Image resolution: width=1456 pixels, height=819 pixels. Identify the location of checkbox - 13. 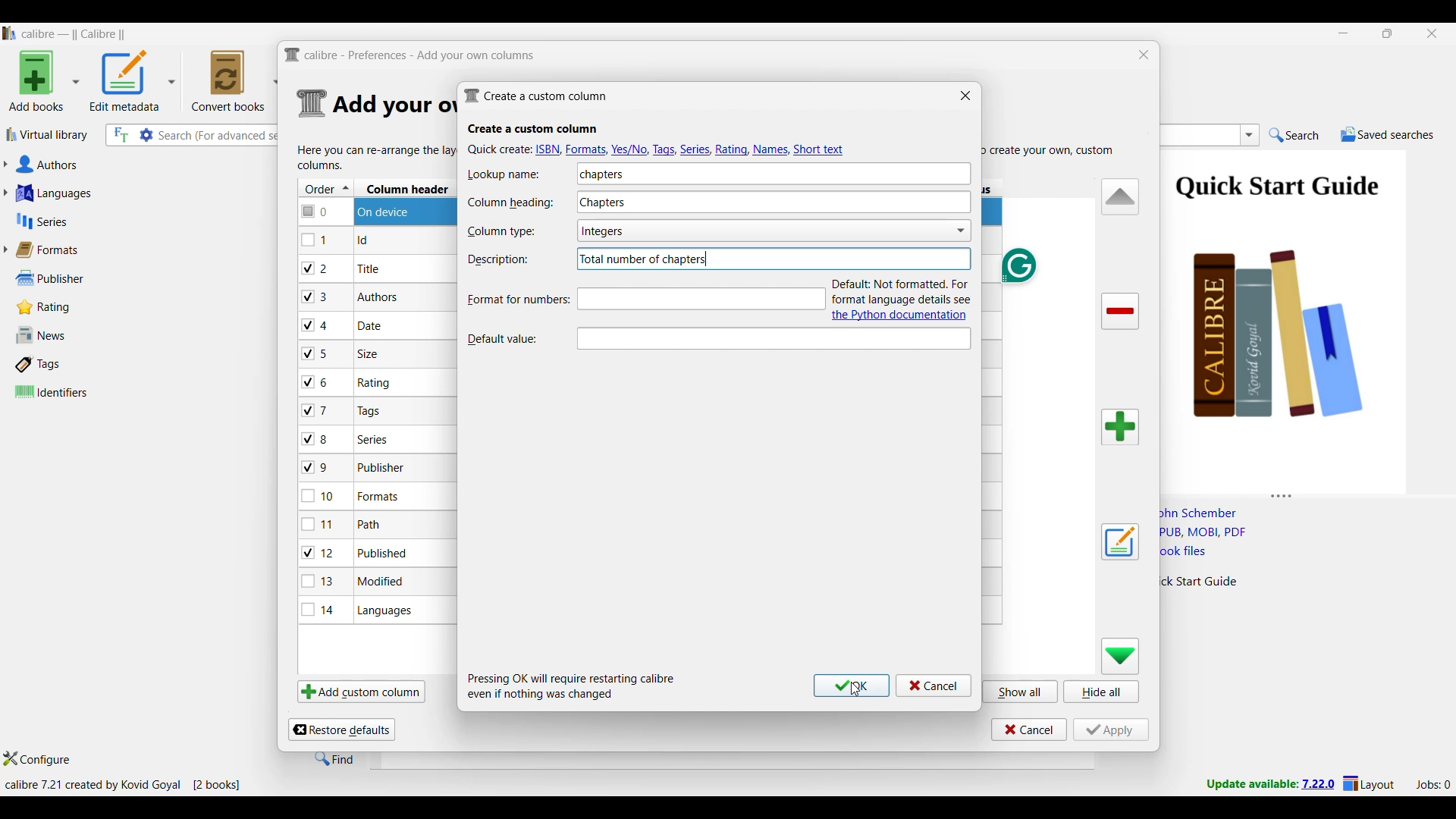
(318, 581).